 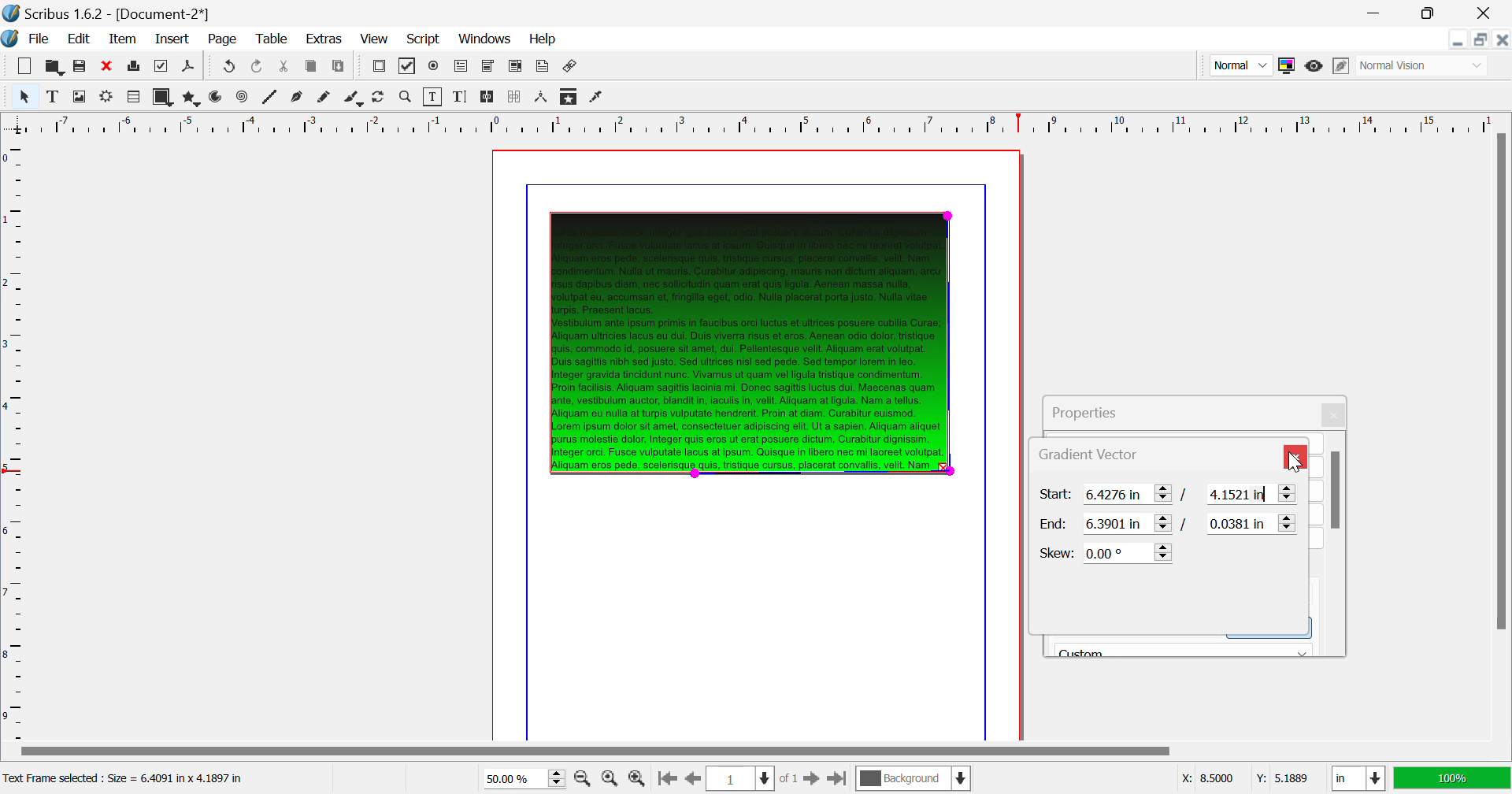 What do you see at coordinates (518, 778) in the screenshot?
I see `Zoom 50%` at bounding box center [518, 778].